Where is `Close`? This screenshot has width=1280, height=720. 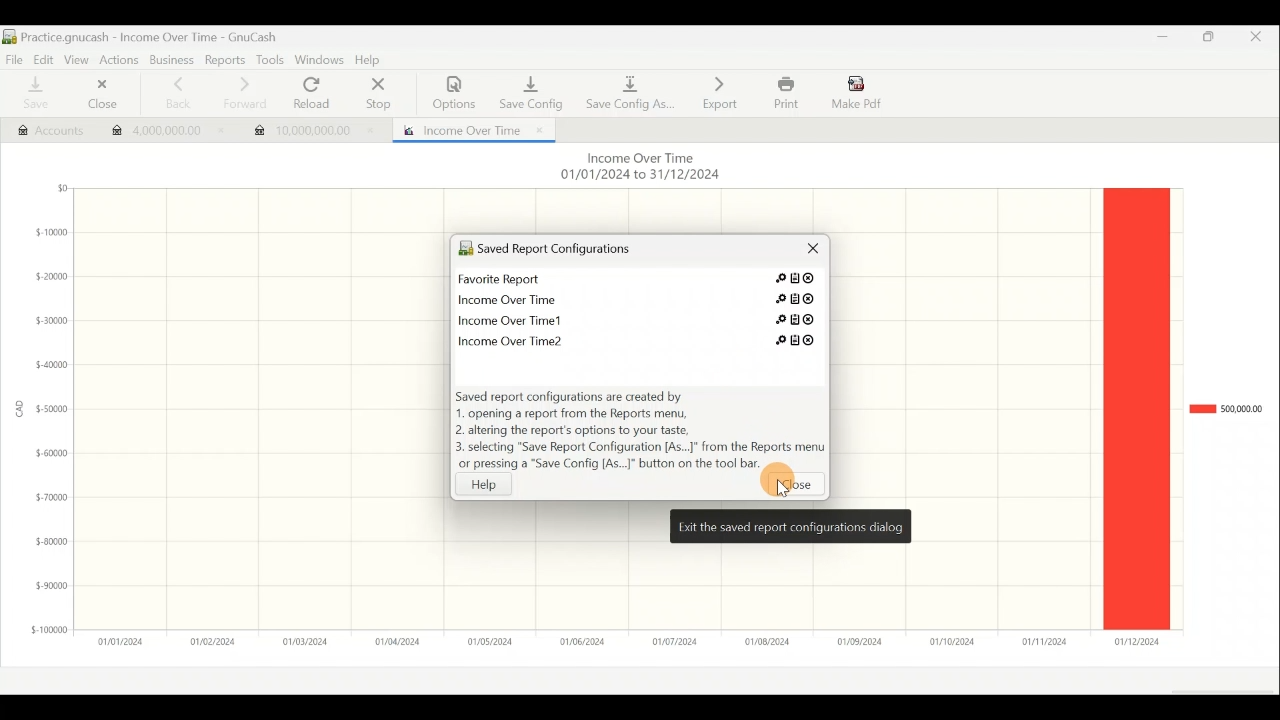 Close is located at coordinates (806, 253).